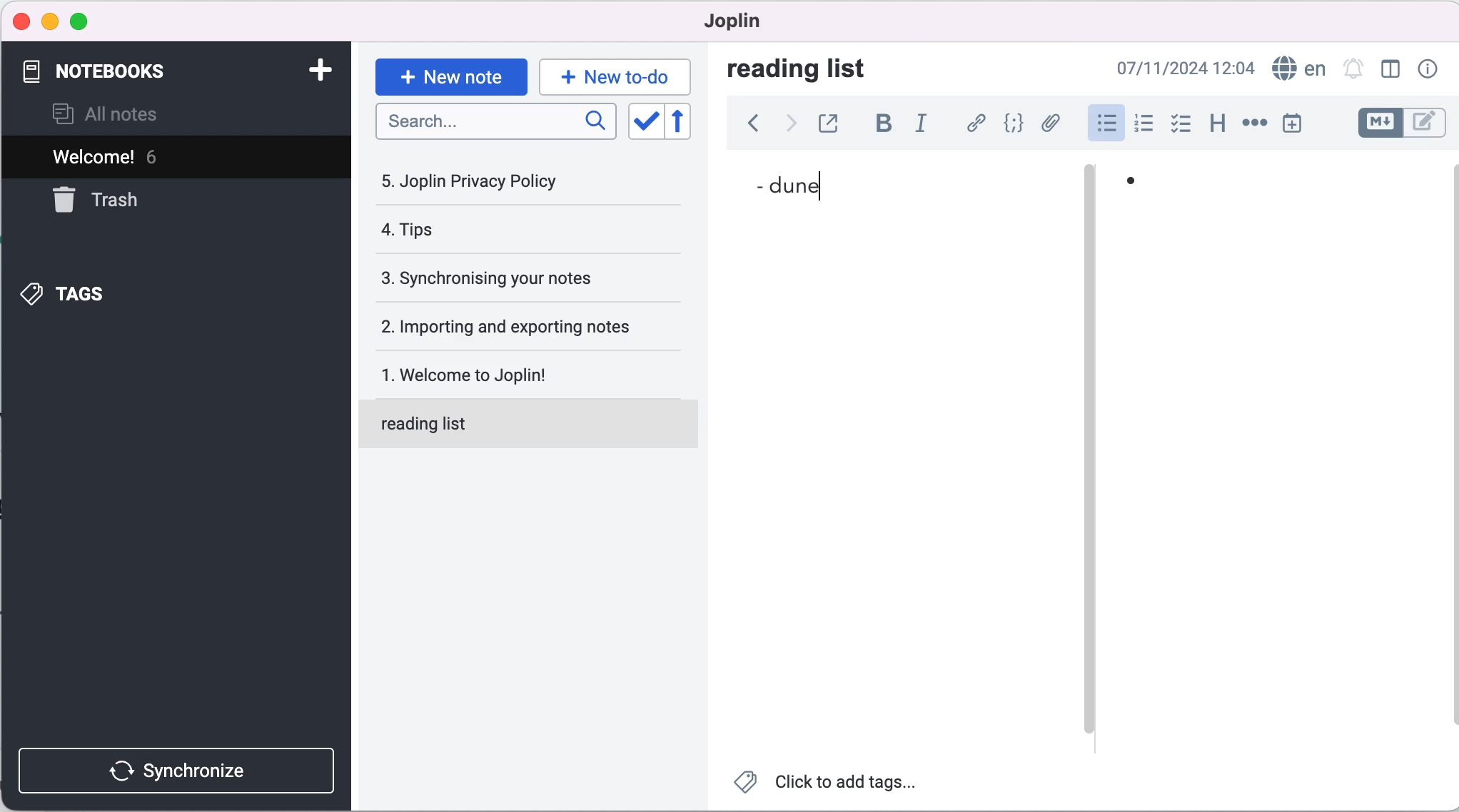 Image resolution: width=1459 pixels, height=812 pixels. Describe the element at coordinates (142, 294) in the screenshot. I see `tags` at that location.